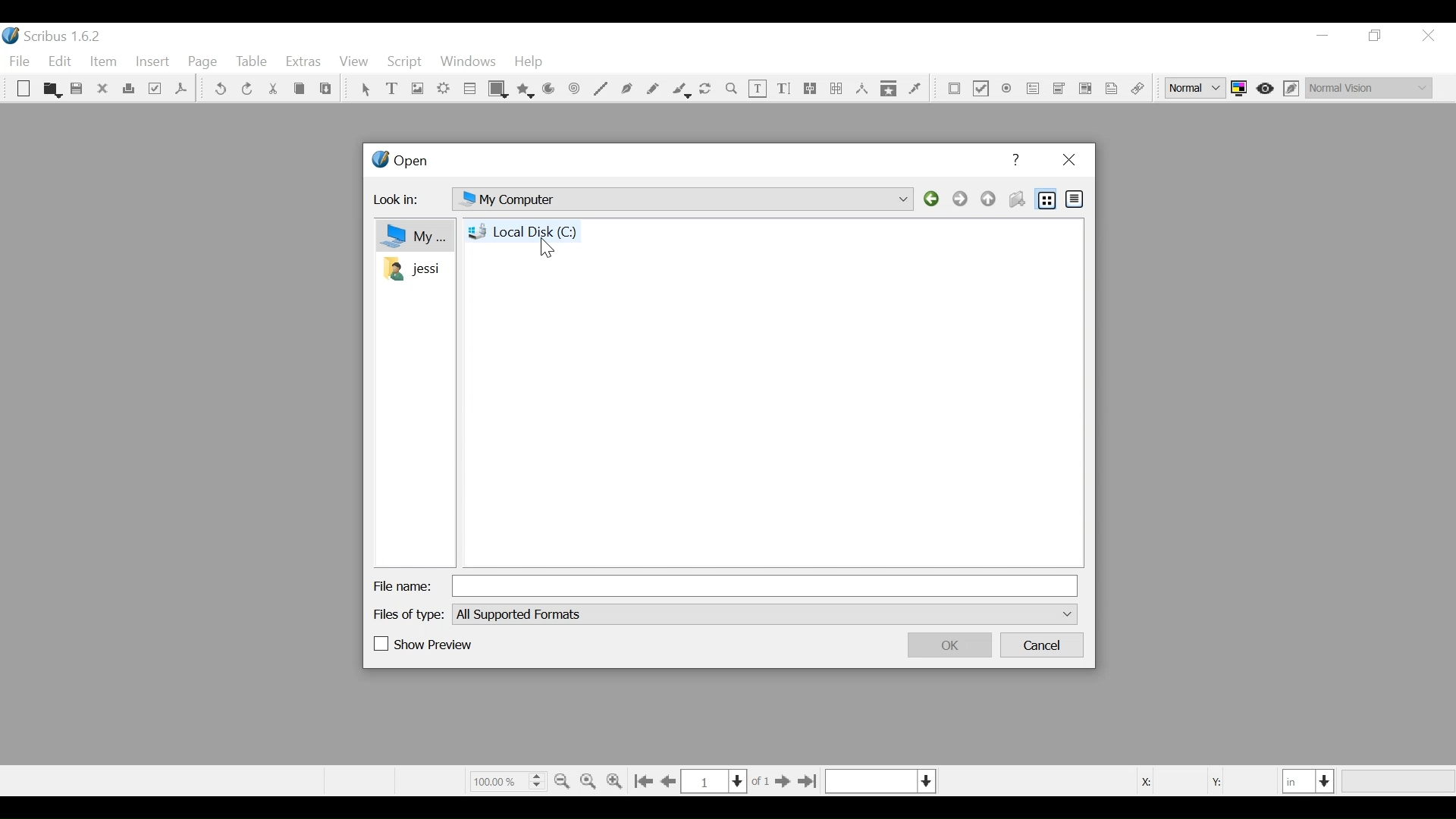 The image size is (1456, 819). What do you see at coordinates (811, 89) in the screenshot?
I see `link text frames` at bounding box center [811, 89].